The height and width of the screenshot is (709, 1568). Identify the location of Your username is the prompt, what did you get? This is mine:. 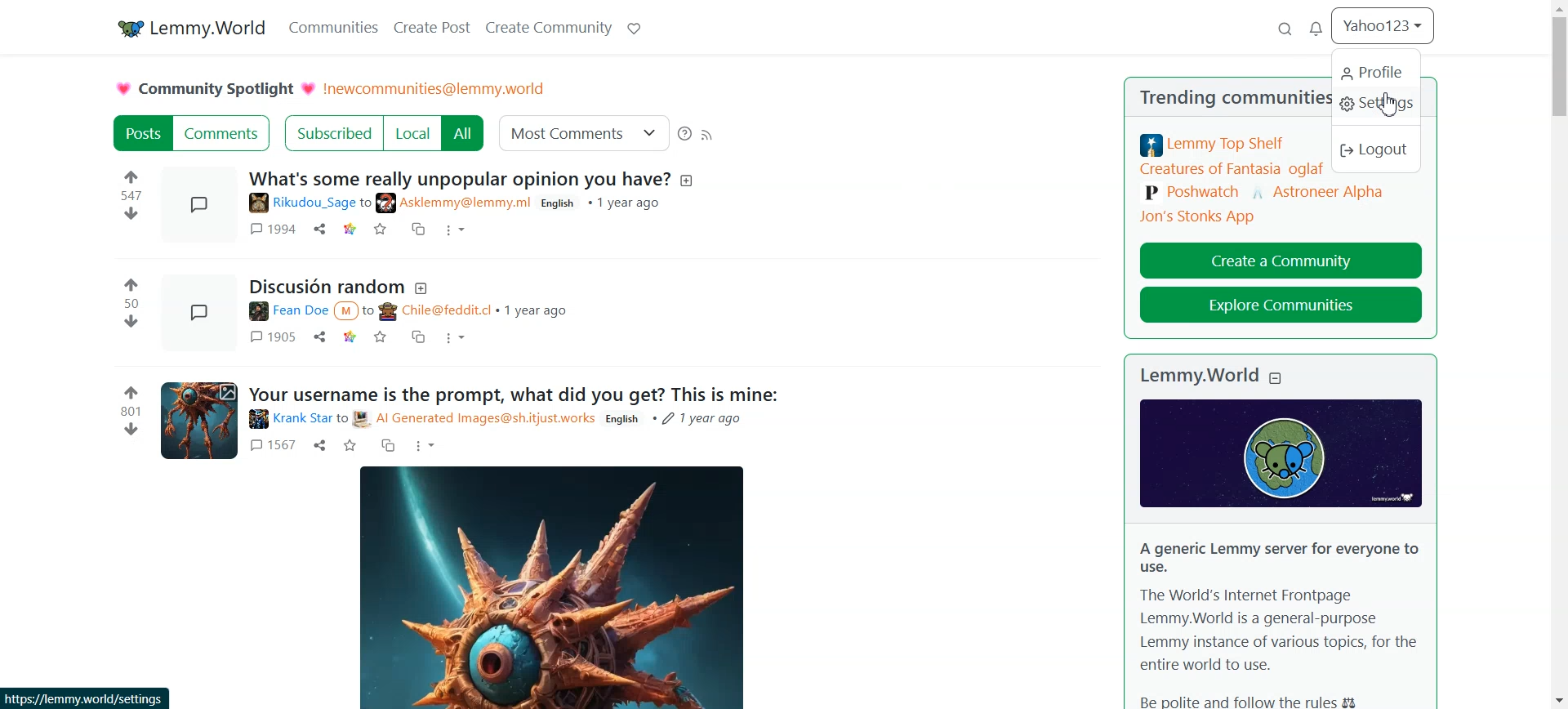
(514, 394).